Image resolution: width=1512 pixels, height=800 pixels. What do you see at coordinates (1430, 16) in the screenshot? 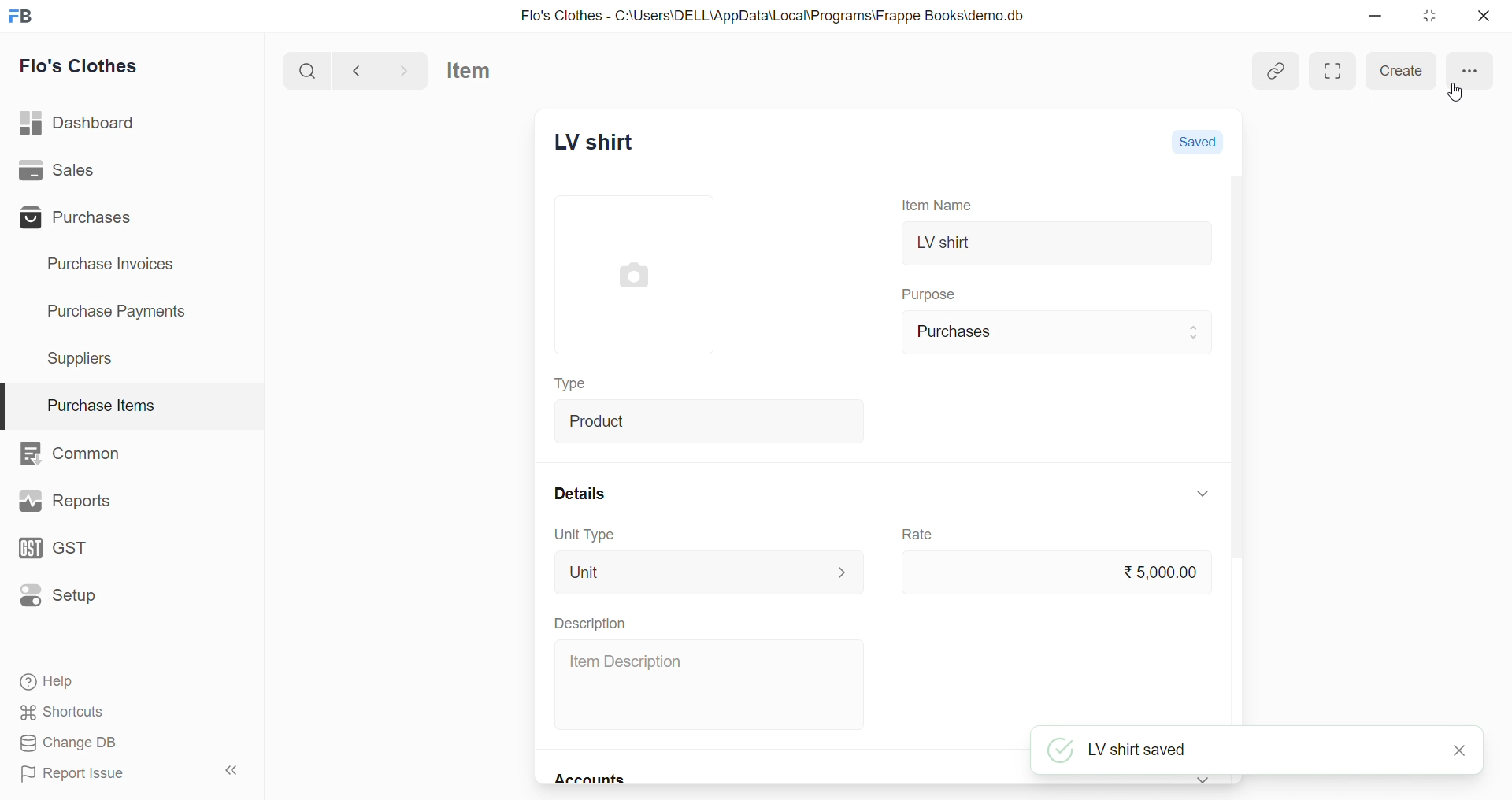
I see `resize` at bounding box center [1430, 16].